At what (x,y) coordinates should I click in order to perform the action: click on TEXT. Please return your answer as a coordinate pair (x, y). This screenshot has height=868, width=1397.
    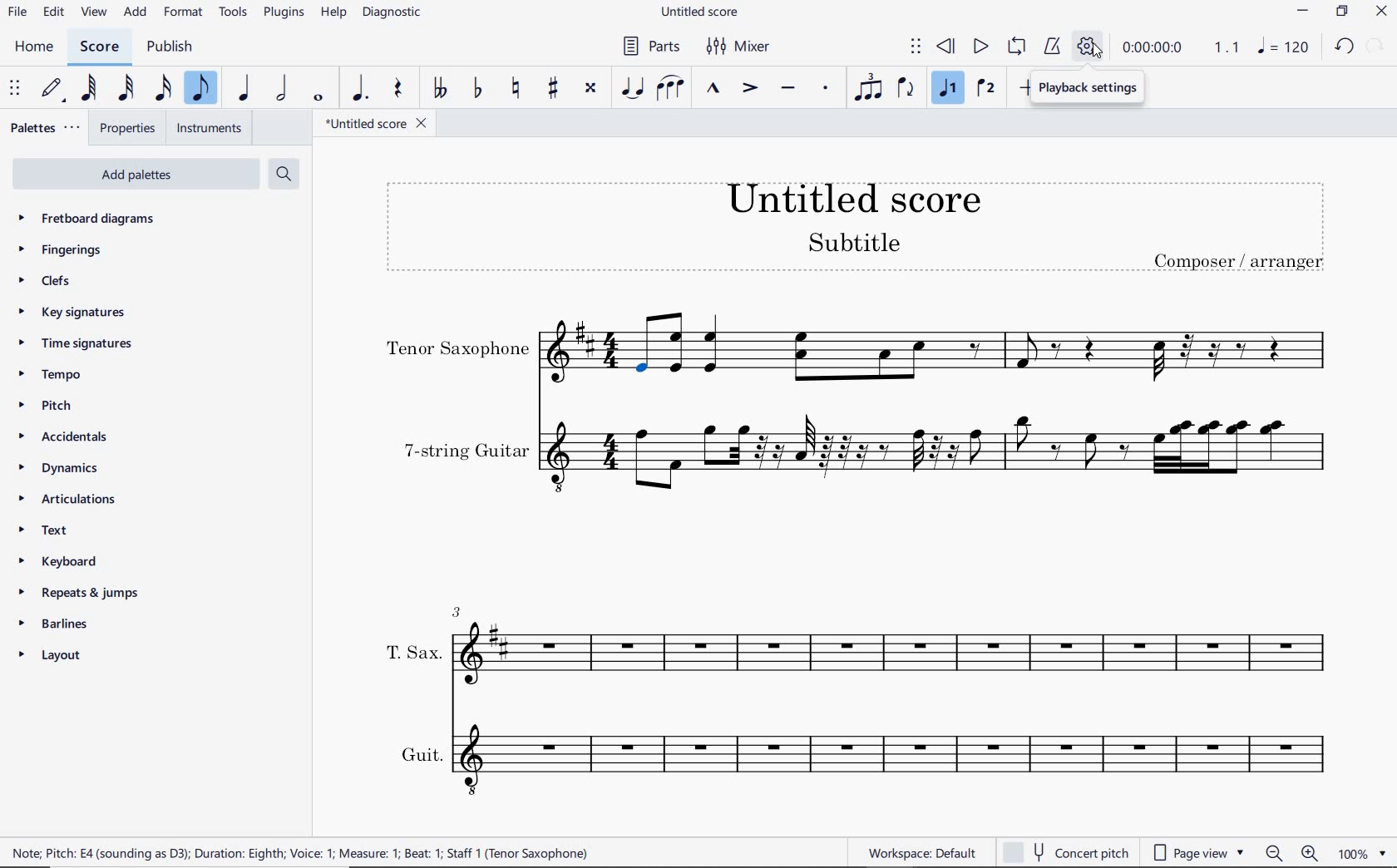
    Looking at the image, I should click on (39, 529).